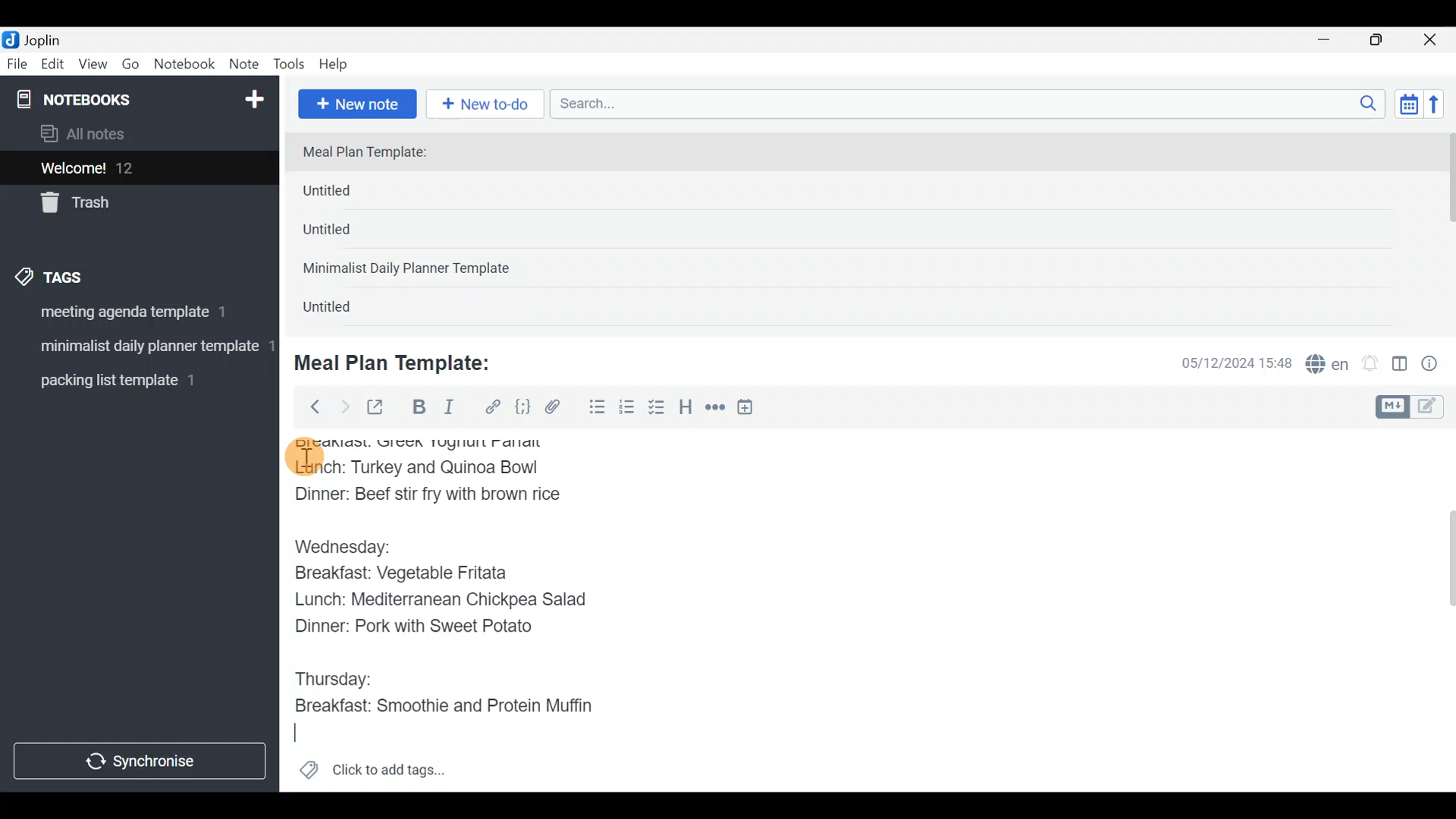 The height and width of the screenshot is (819, 1456). I want to click on Wednesday:, so click(347, 545).